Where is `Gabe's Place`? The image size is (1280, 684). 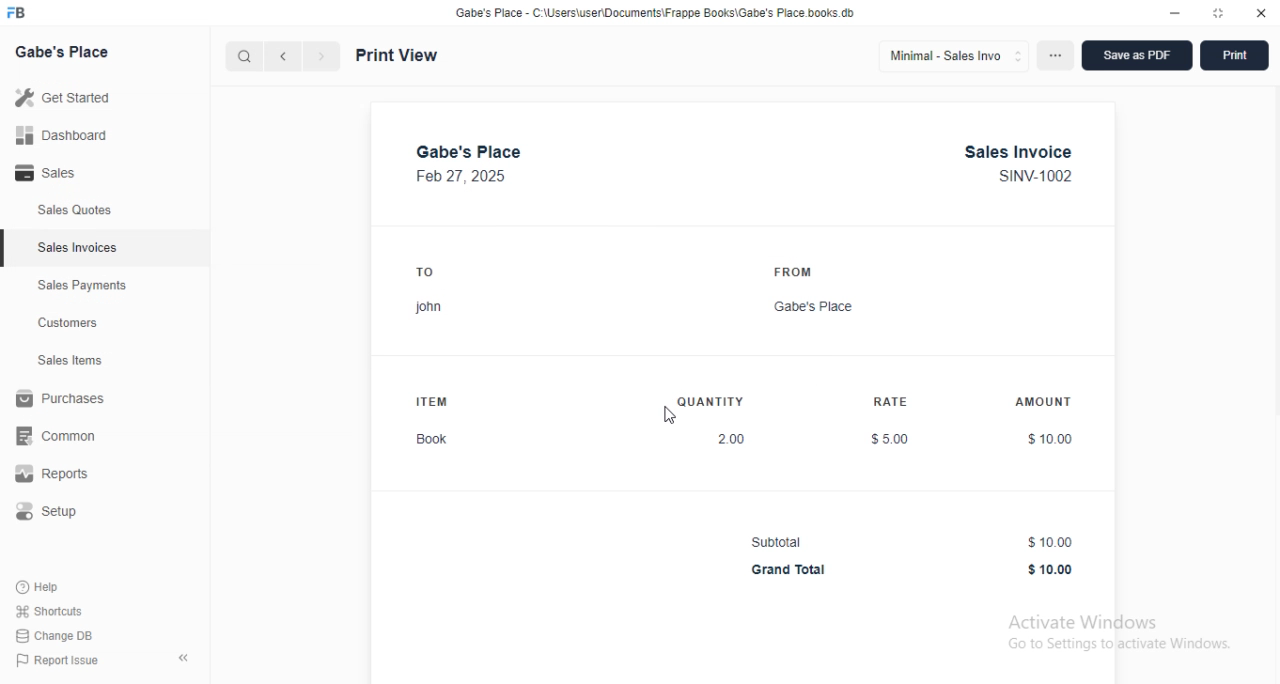
Gabe's Place is located at coordinates (814, 307).